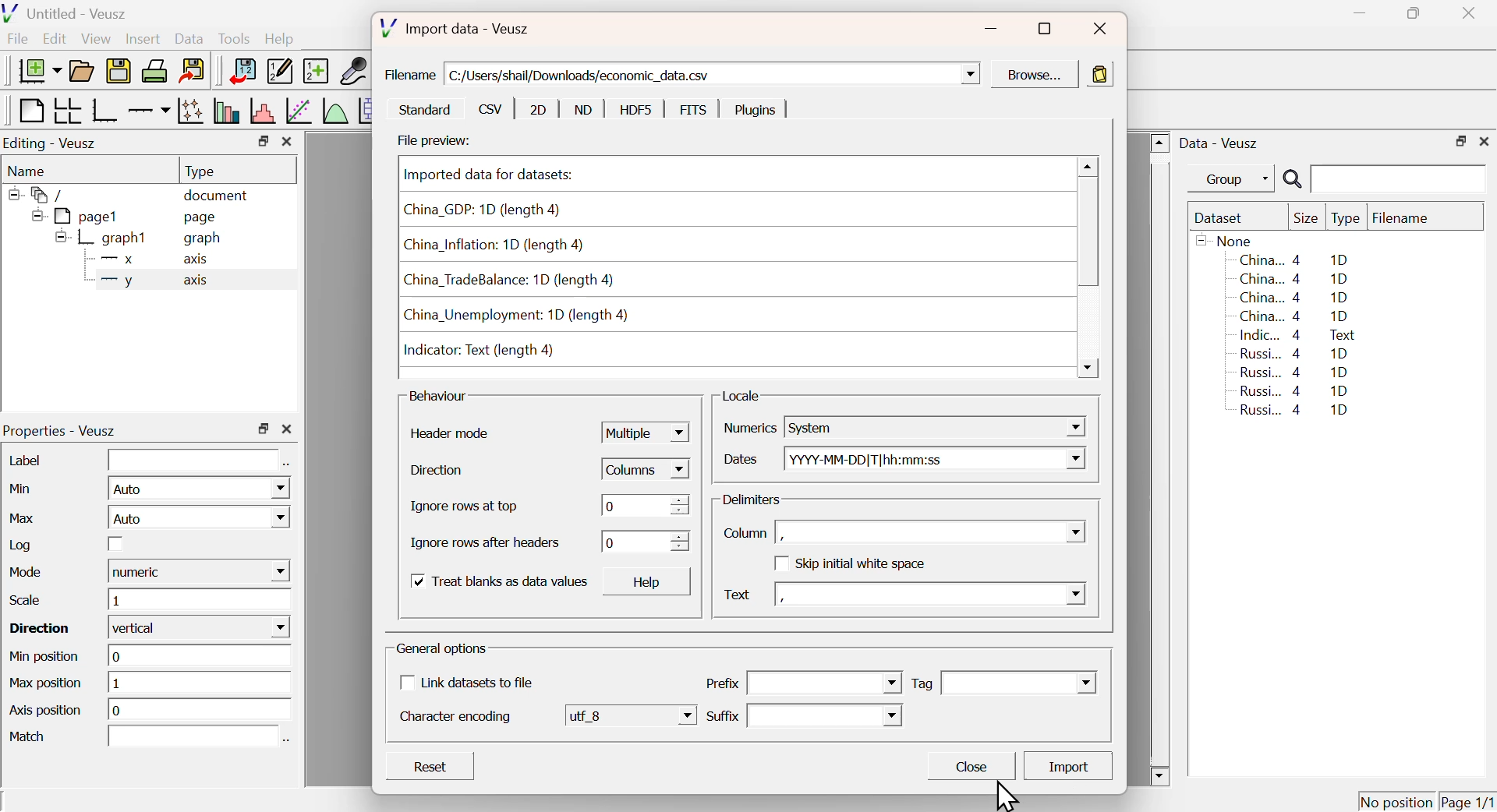 This screenshot has width=1497, height=812. I want to click on Min, so click(26, 489).